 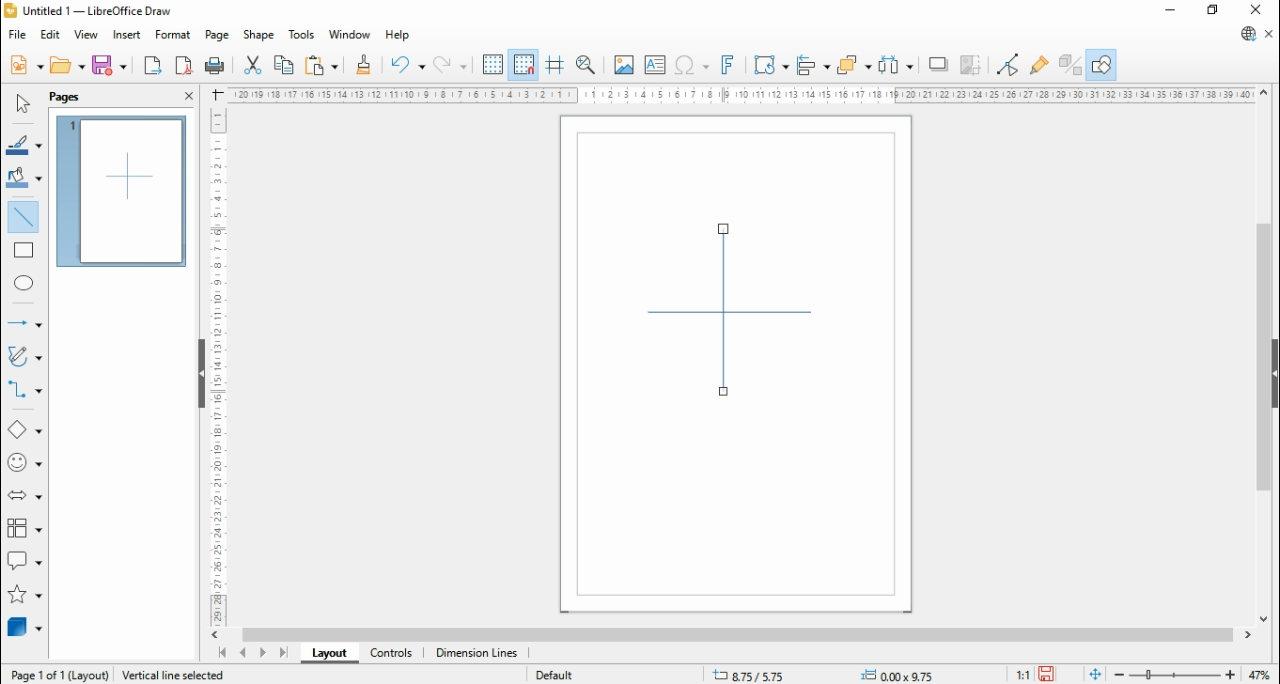 What do you see at coordinates (24, 463) in the screenshot?
I see `symbol shapes` at bounding box center [24, 463].